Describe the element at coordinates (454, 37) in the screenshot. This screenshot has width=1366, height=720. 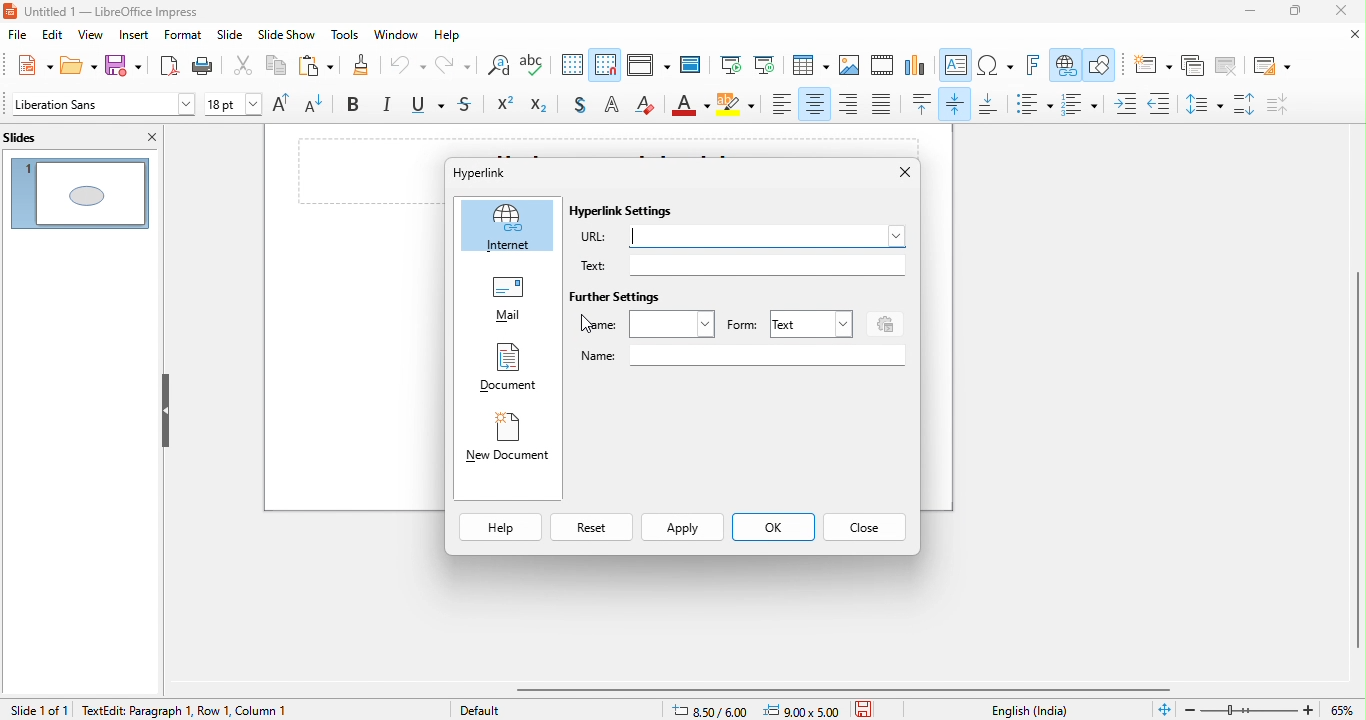
I see `help` at that location.